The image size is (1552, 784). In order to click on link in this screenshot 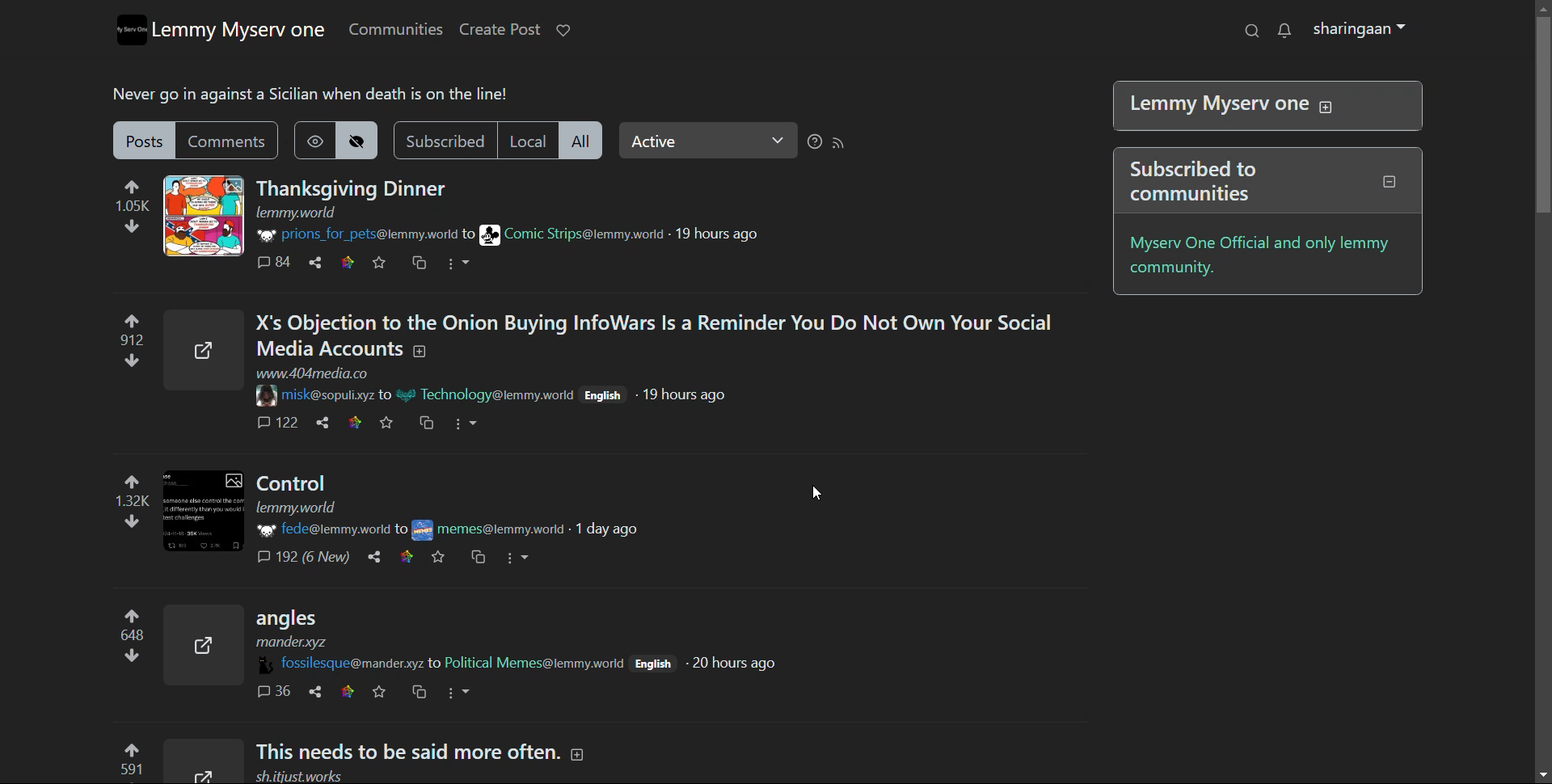, I will do `click(348, 262)`.